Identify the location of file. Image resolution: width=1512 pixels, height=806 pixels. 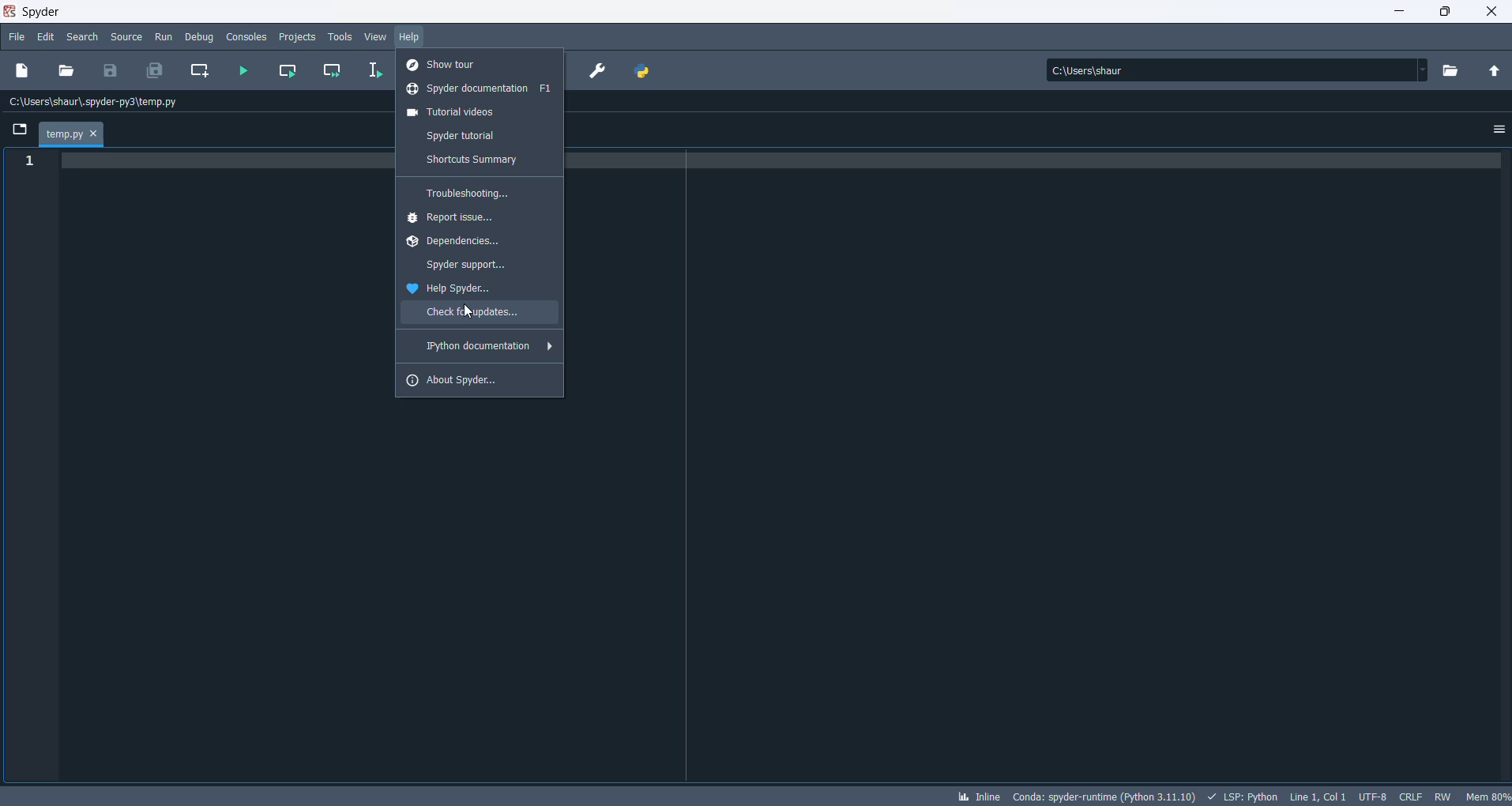
(15, 40).